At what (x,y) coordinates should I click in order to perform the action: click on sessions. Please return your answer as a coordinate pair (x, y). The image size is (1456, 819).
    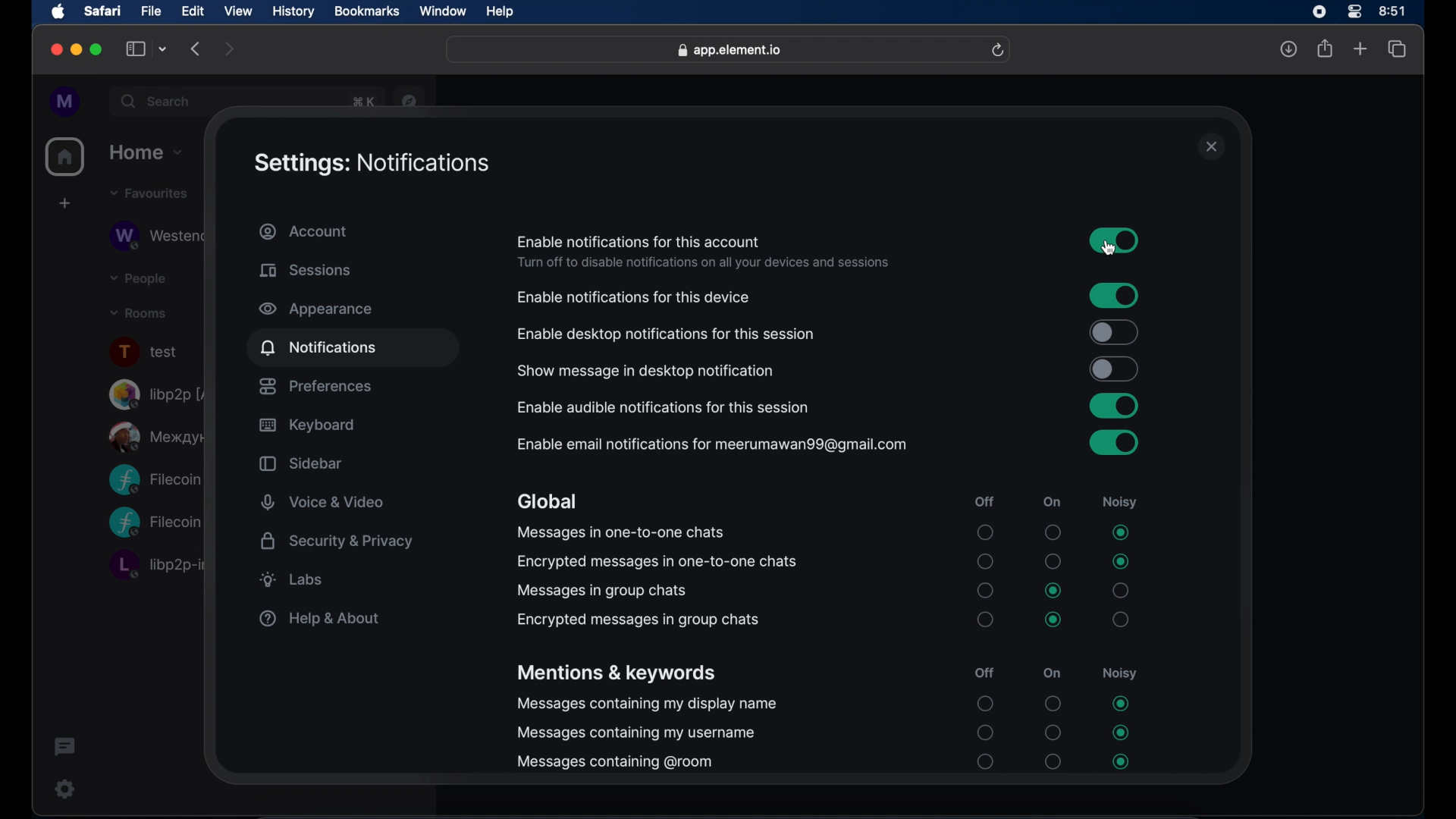
    Looking at the image, I should click on (305, 270).